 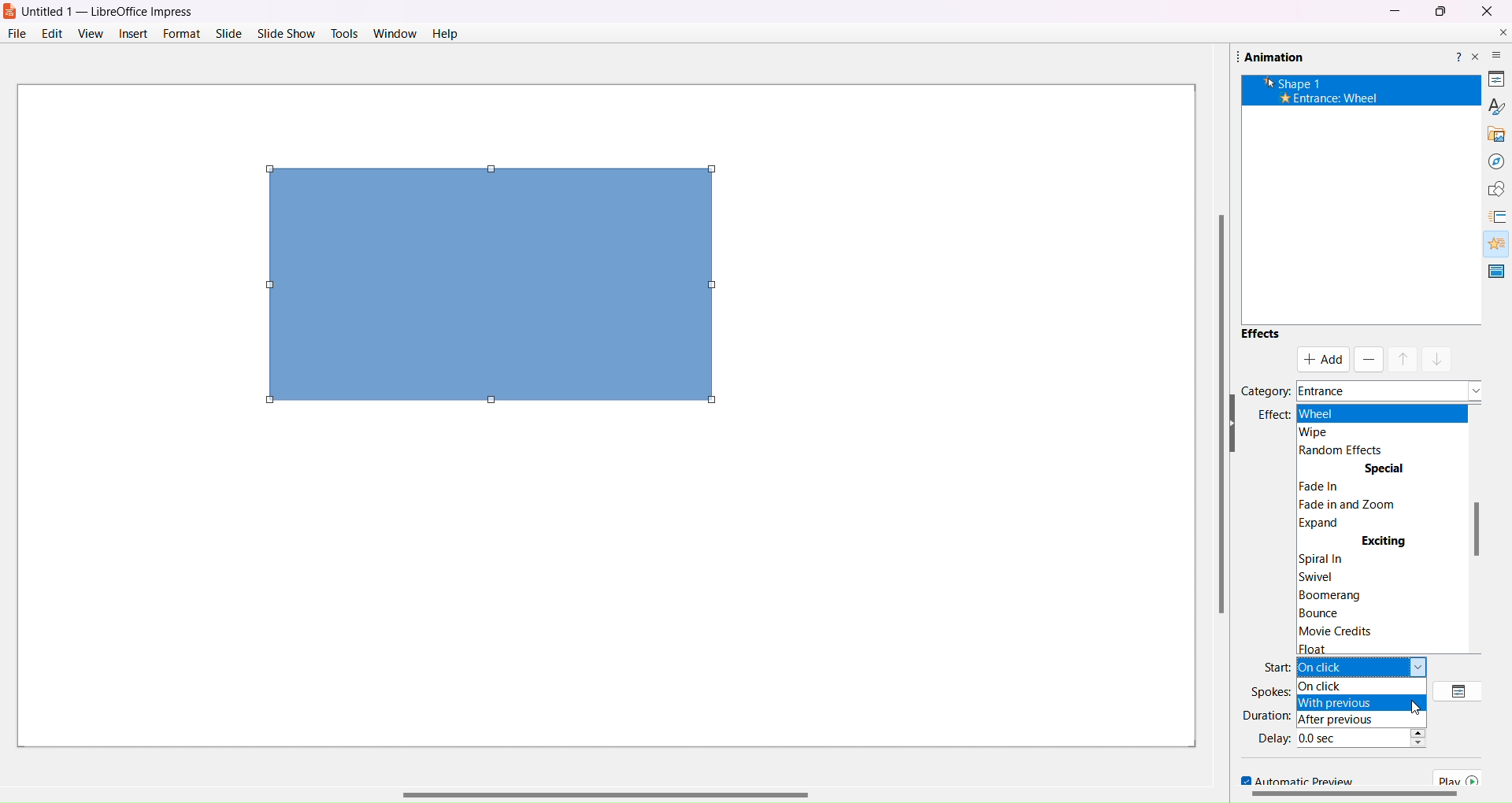 I want to click on Animation, so click(x=1269, y=57).